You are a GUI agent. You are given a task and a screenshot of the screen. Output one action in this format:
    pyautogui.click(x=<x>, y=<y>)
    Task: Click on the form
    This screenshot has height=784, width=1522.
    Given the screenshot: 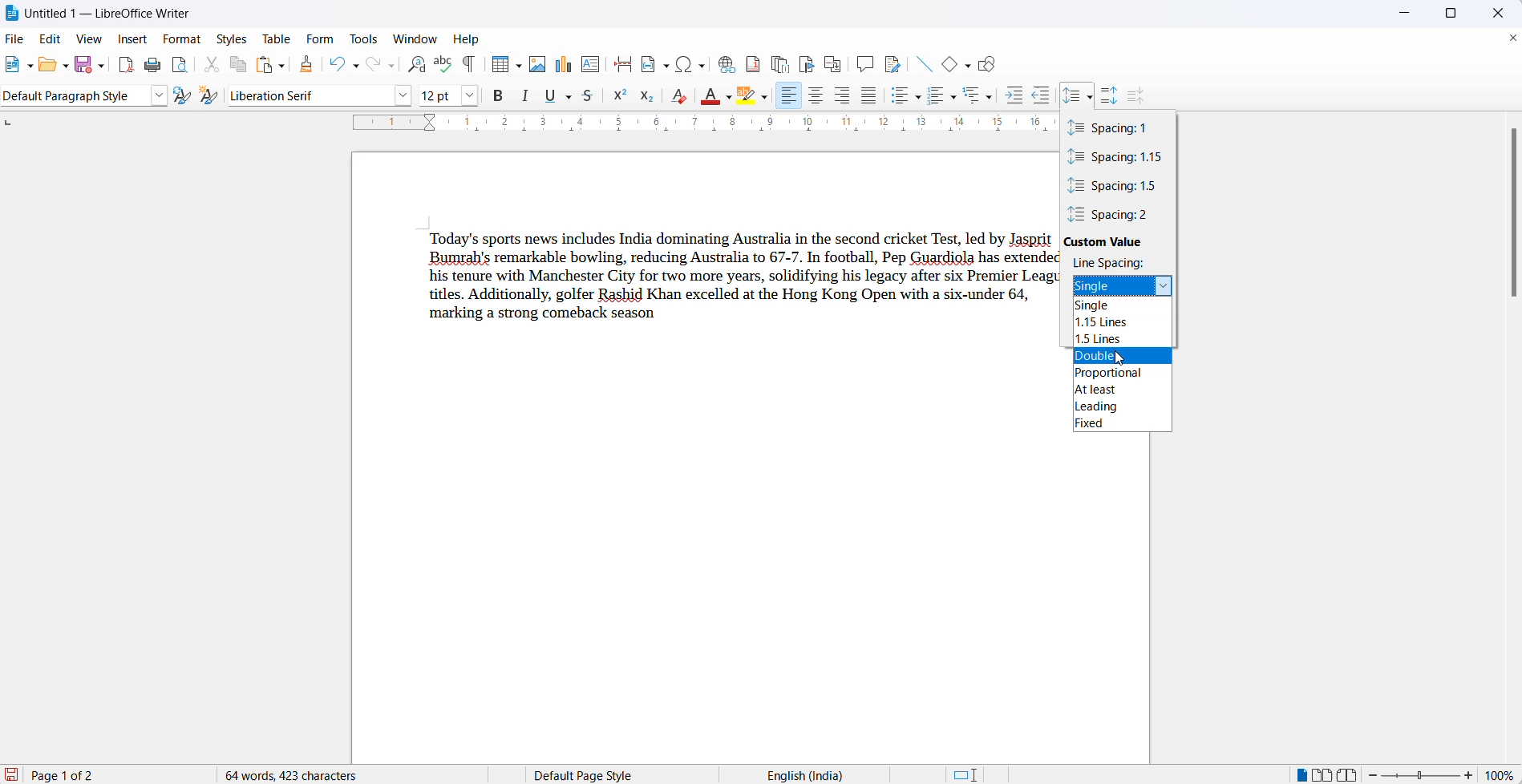 What is the action you would take?
    pyautogui.click(x=323, y=38)
    